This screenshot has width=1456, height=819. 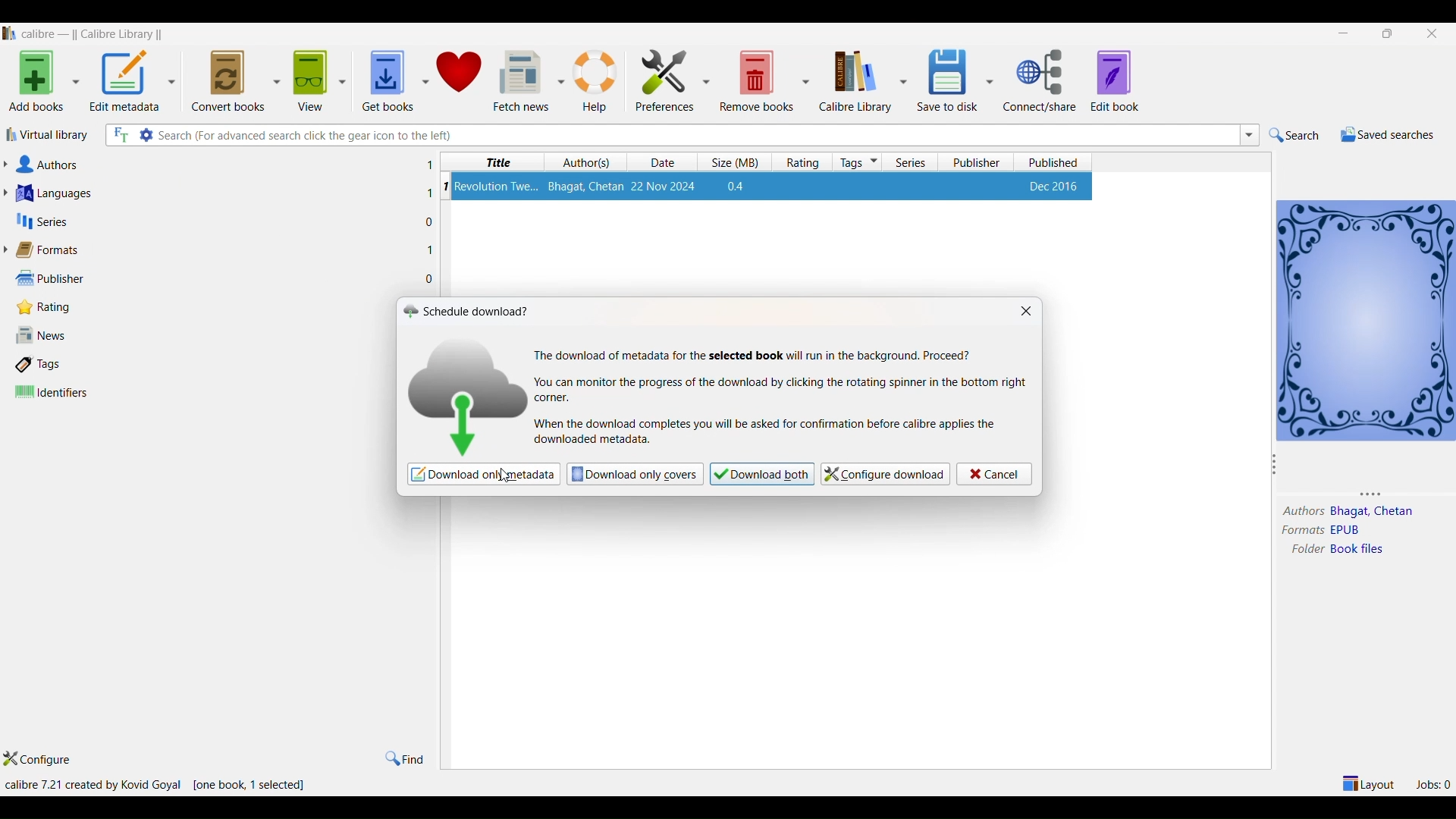 I want to click on search settings , so click(x=146, y=135).